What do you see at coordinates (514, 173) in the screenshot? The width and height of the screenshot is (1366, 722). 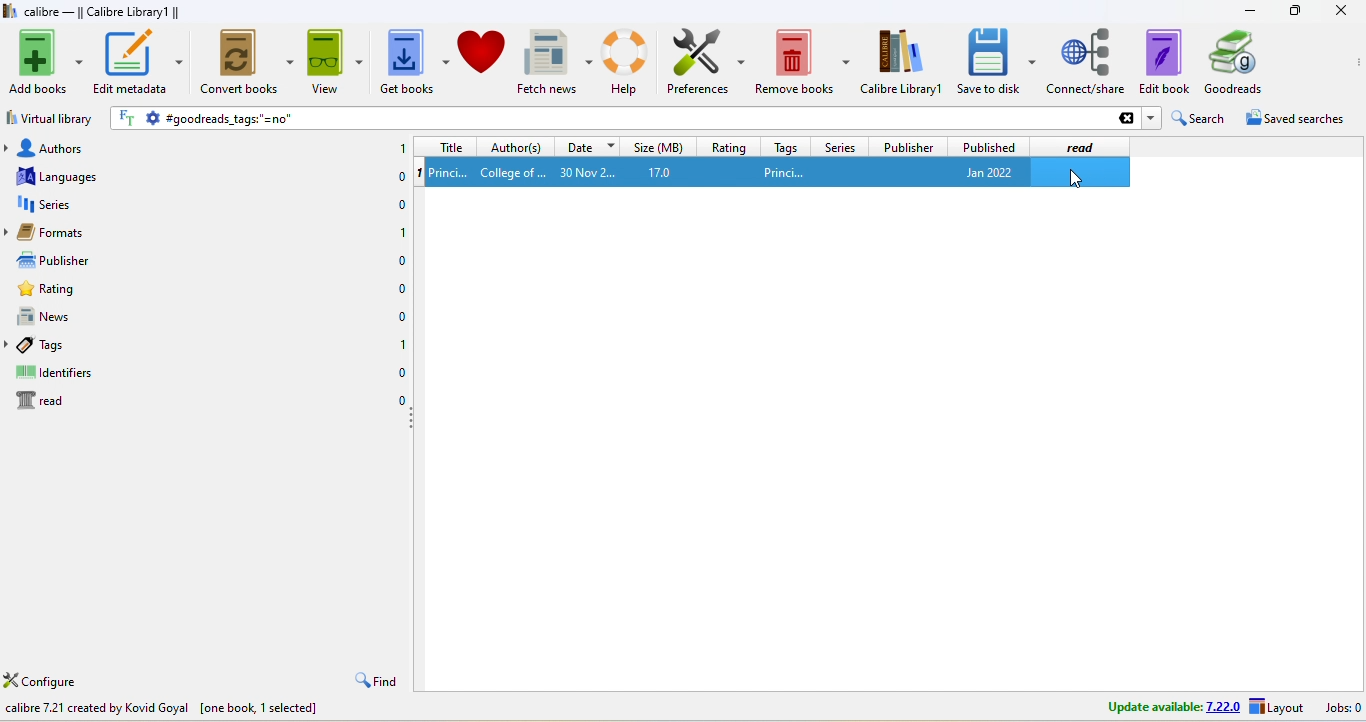 I see `college of` at bounding box center [514, 173].